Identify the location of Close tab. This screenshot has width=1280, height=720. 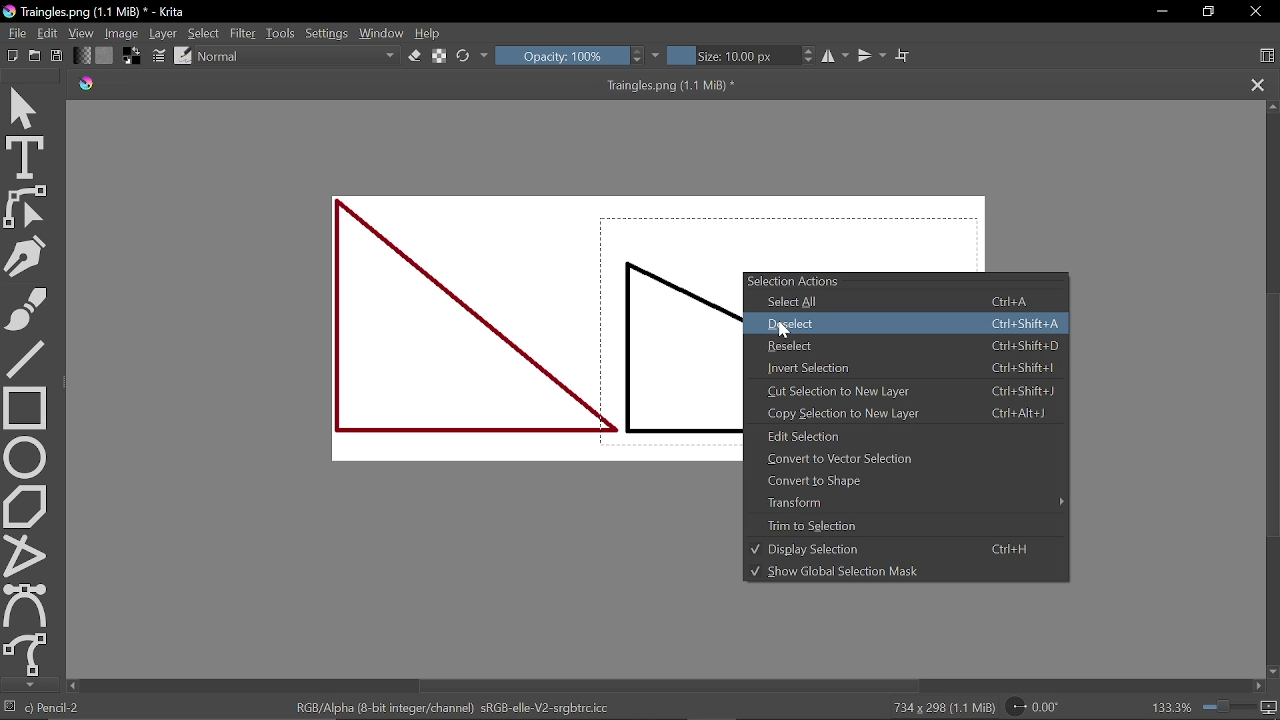
(1257, 86).